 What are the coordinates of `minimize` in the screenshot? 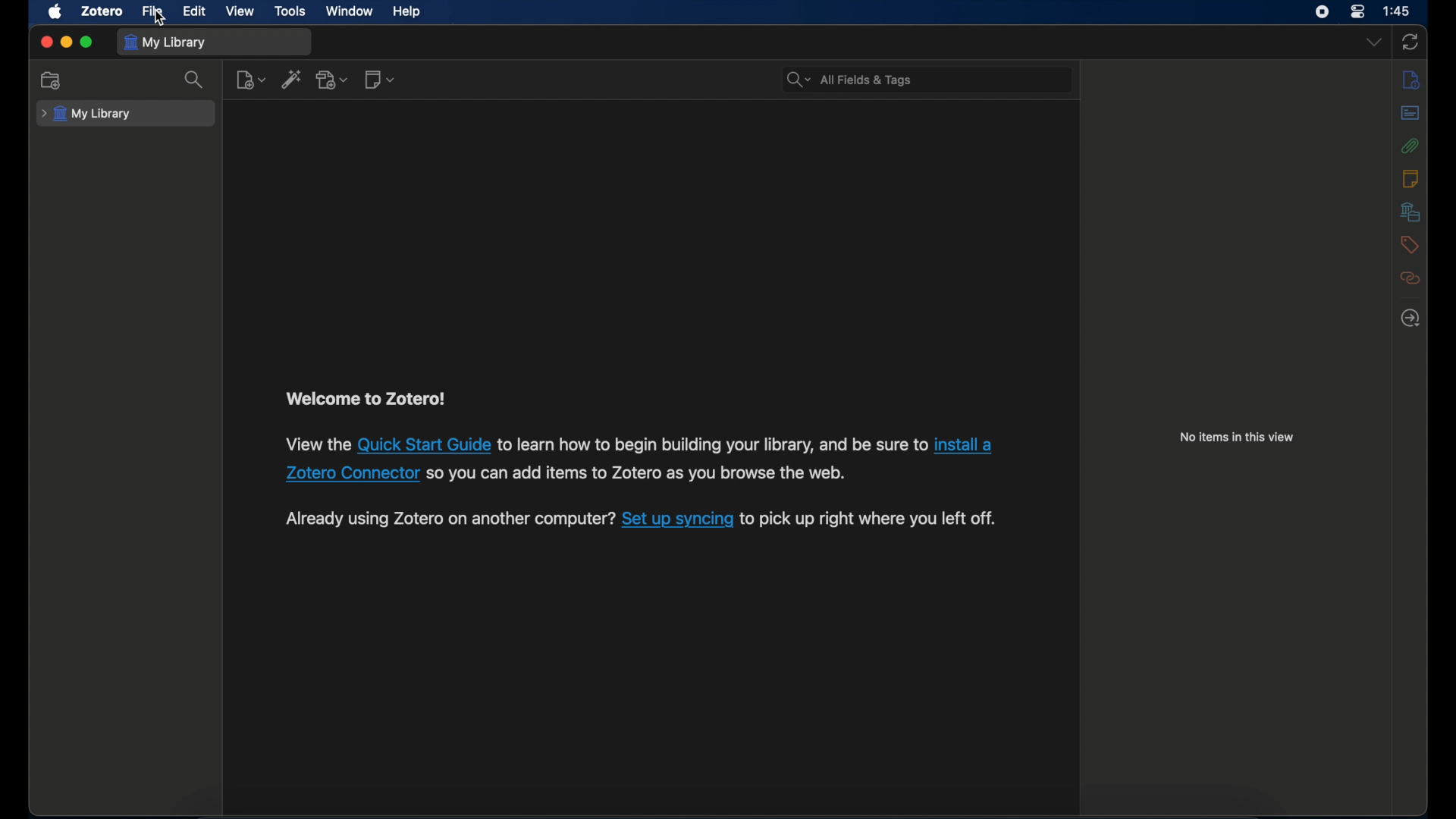 It's located at (65, 43).